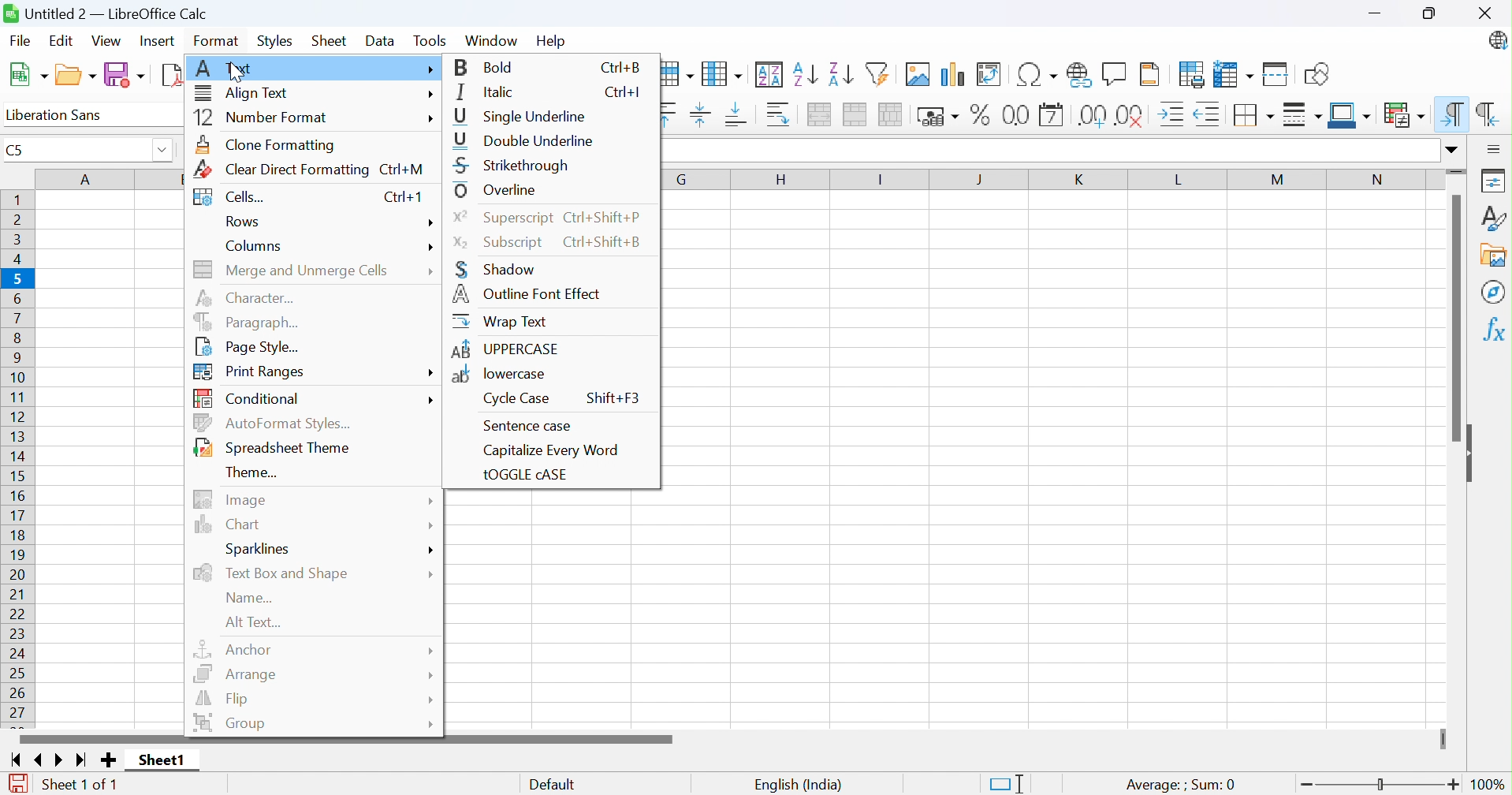 Image resolution: width=1512 pixels, height=795 pixels. Describe the element at coordinates (255, 371) in the screenshot. I see `Print ranges` at that location.